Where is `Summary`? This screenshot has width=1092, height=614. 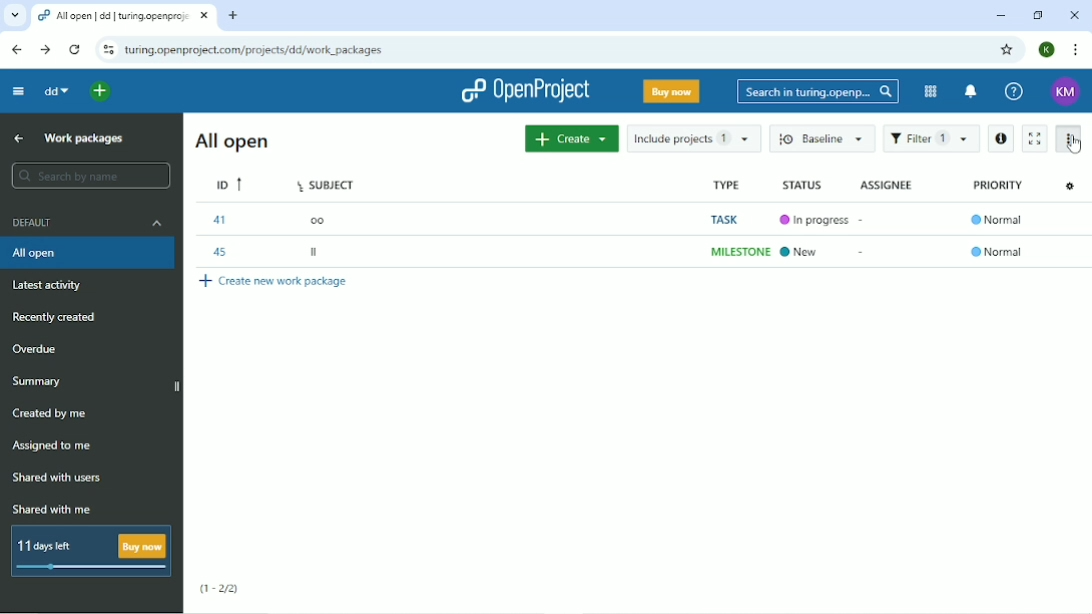 Summary is located at coordinates (40, 382).